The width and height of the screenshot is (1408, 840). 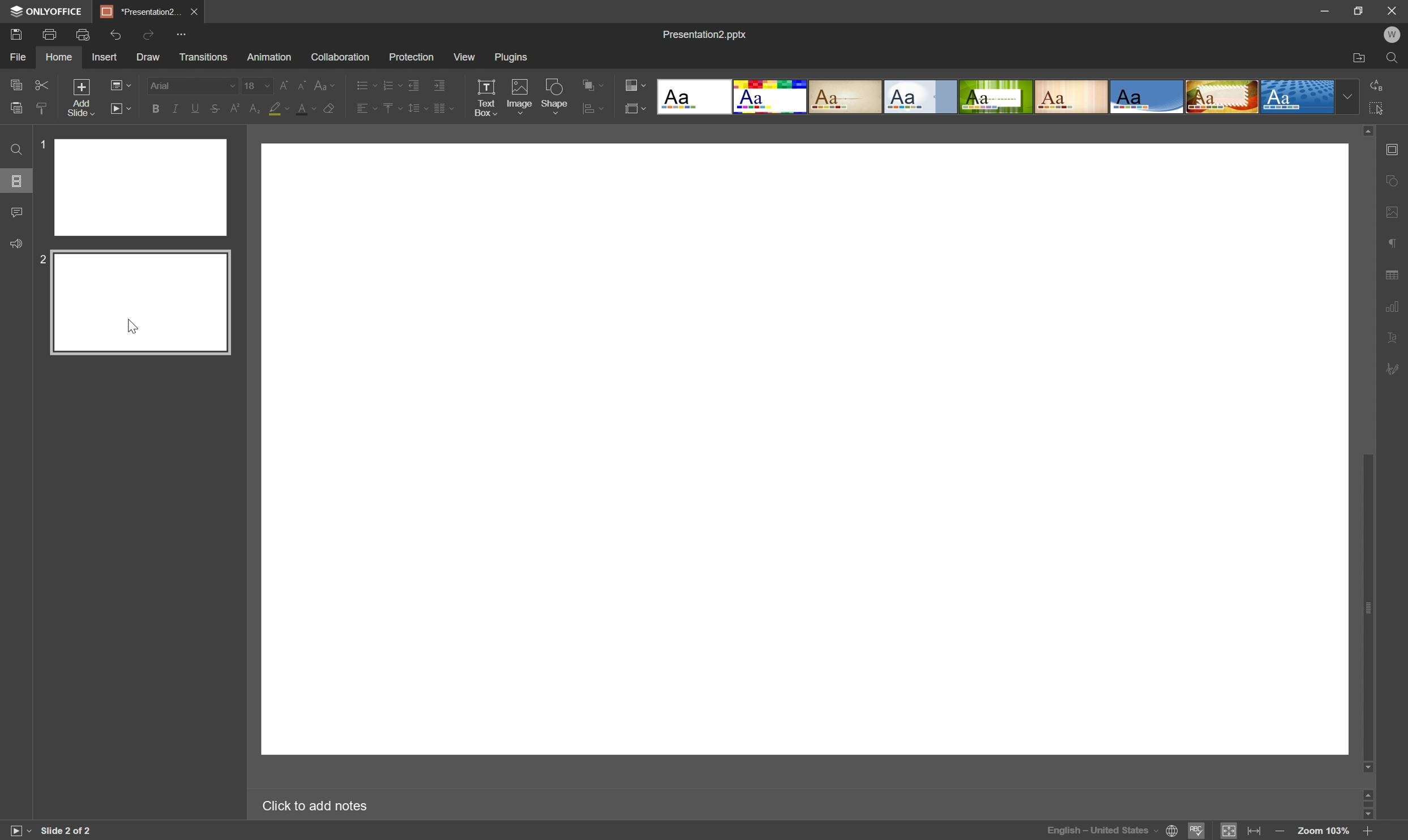 What do you see at coordinates (330, 111) in the screenshot?
I see `Clear style` at bounding box center [330, 111].